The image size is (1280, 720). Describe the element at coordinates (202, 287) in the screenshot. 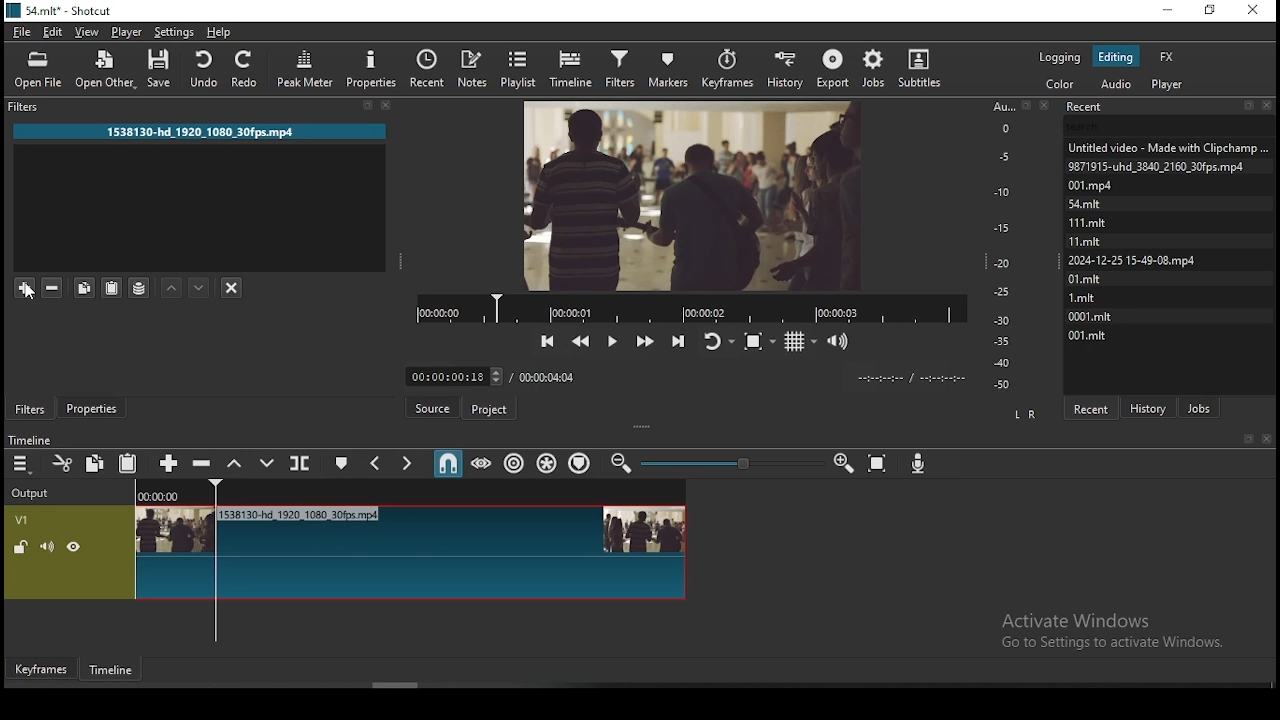

I see `move filter down` at that location.